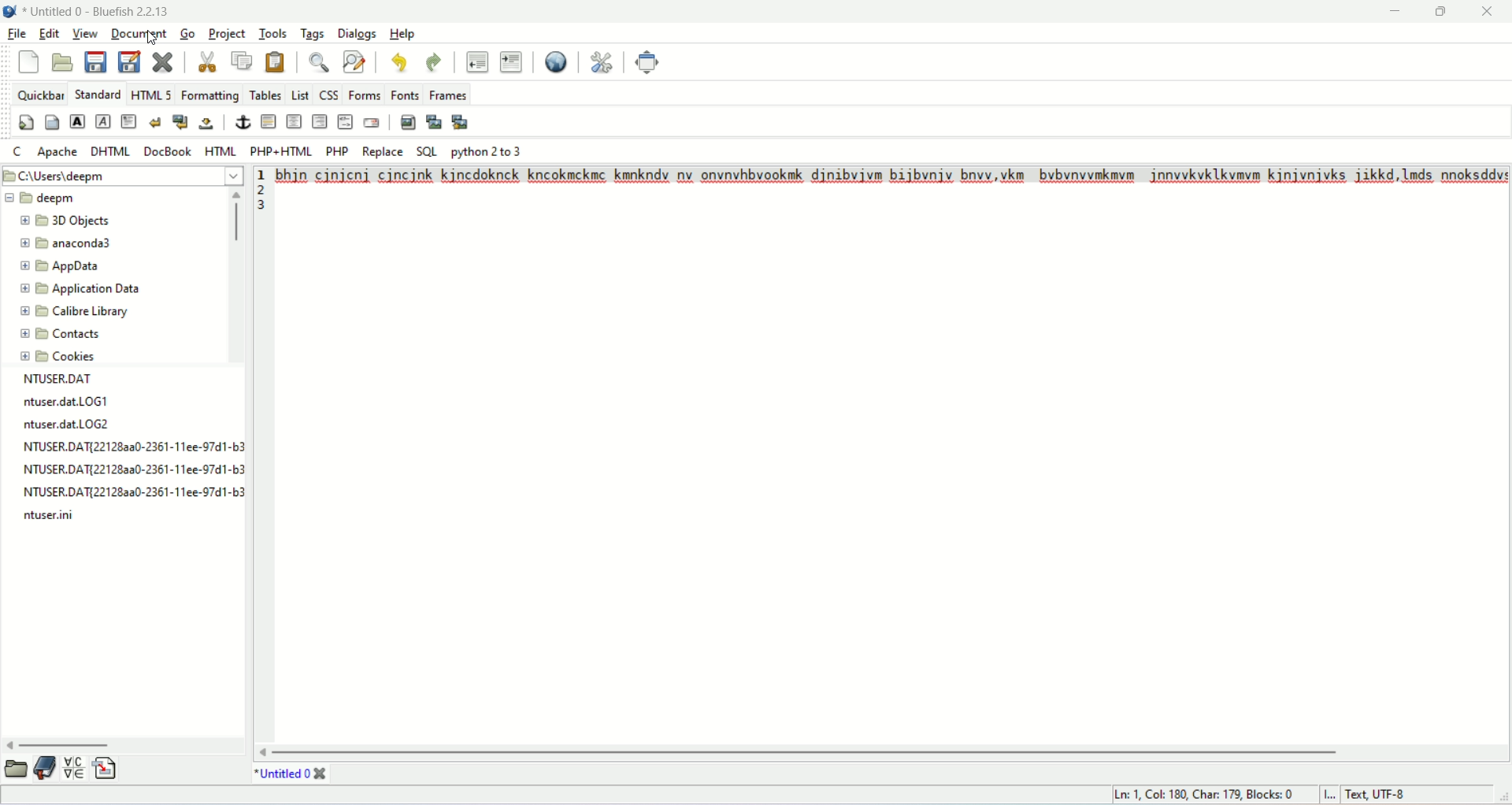 This screenshot has height=805, width=1512. I want to click on apache, so click(59, 152).